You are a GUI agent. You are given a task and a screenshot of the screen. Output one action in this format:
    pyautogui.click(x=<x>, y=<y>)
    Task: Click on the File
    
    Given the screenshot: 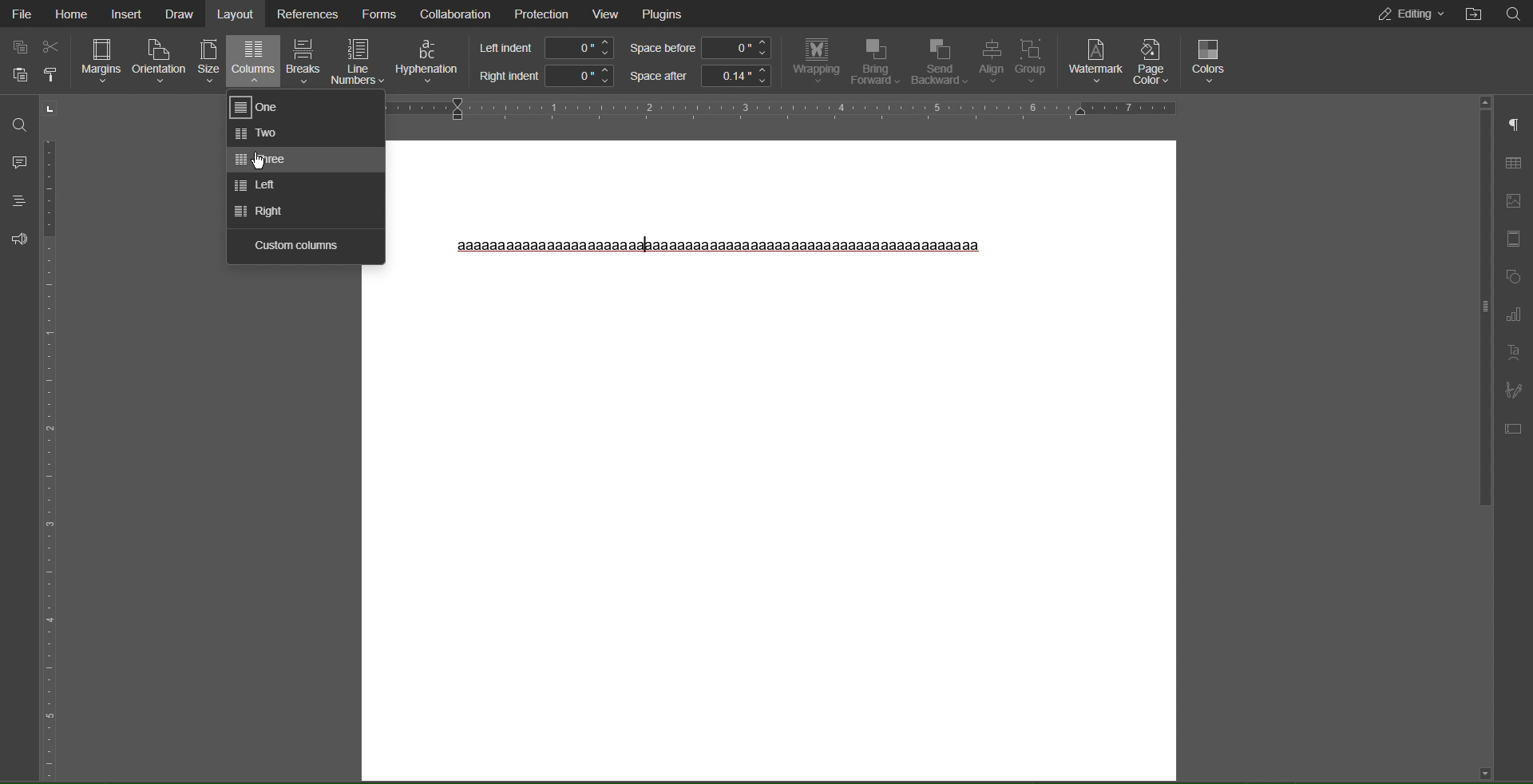 What is the action you would take?
    pyautogui.click(x=23, y=14)
    